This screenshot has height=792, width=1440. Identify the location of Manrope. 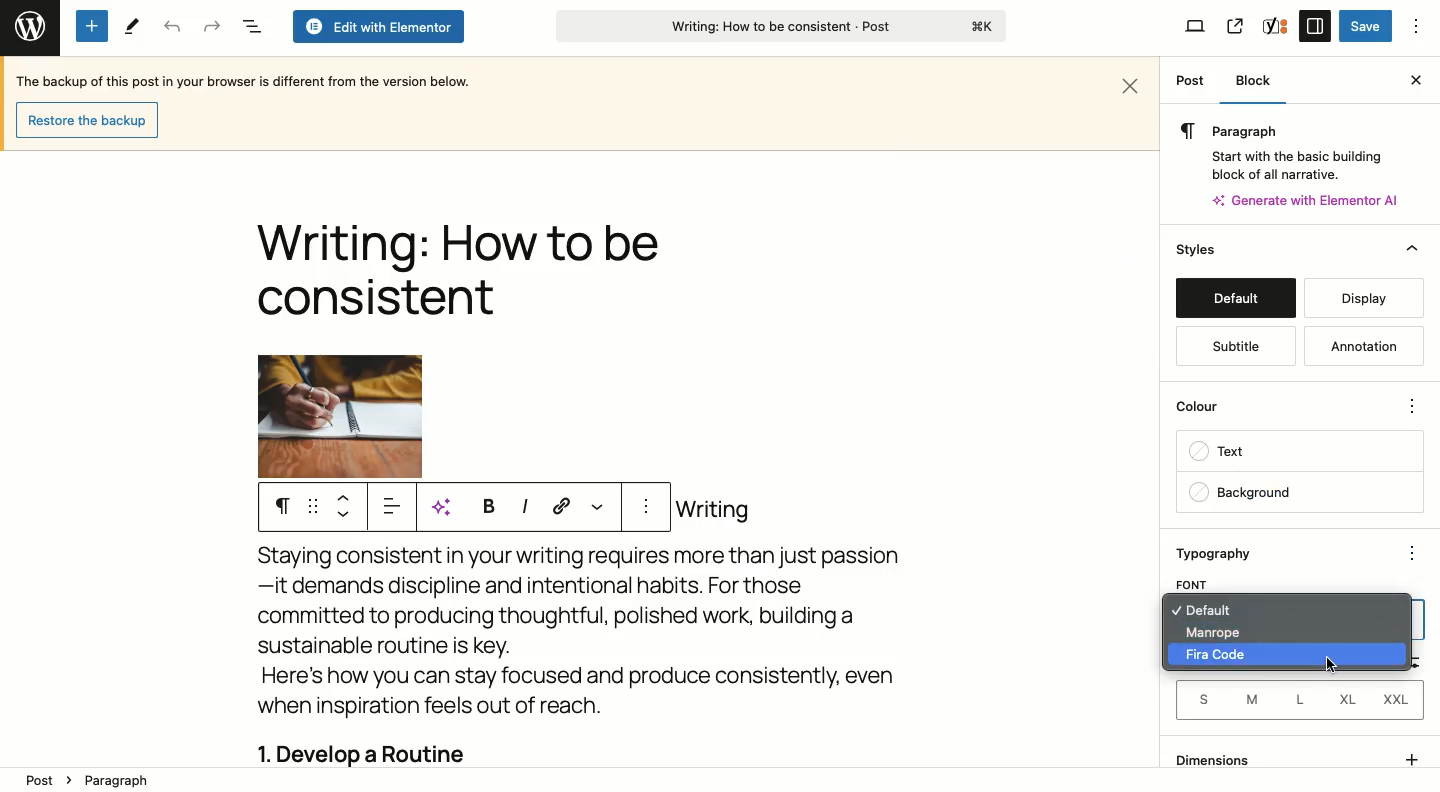
(1212, 635).